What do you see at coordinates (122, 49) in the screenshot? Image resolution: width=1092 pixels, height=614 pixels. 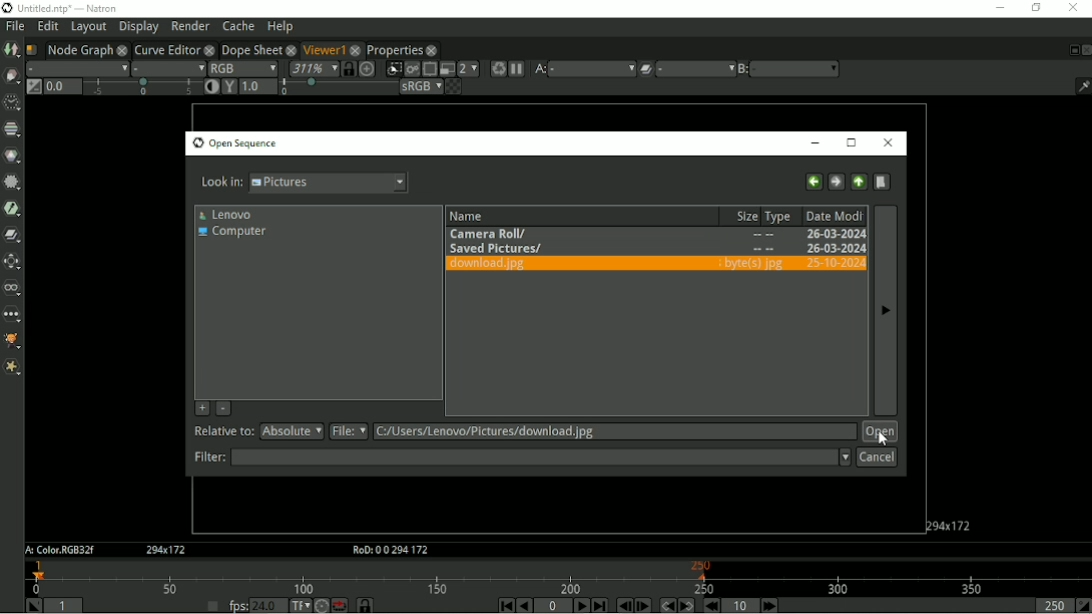 I see `close` at bounding box center [122, 49].